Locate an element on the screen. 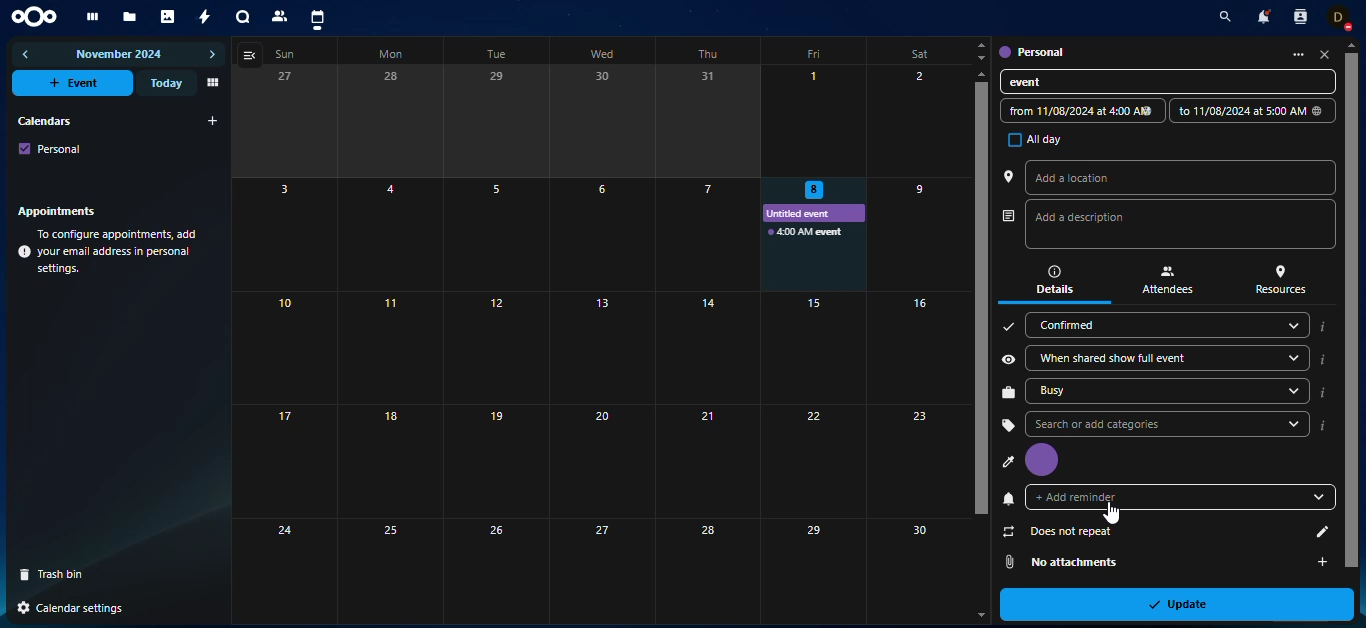 Image resolution: width=1366 pixels, height=628 pixels. 25 is located at coordinates (389, 568).